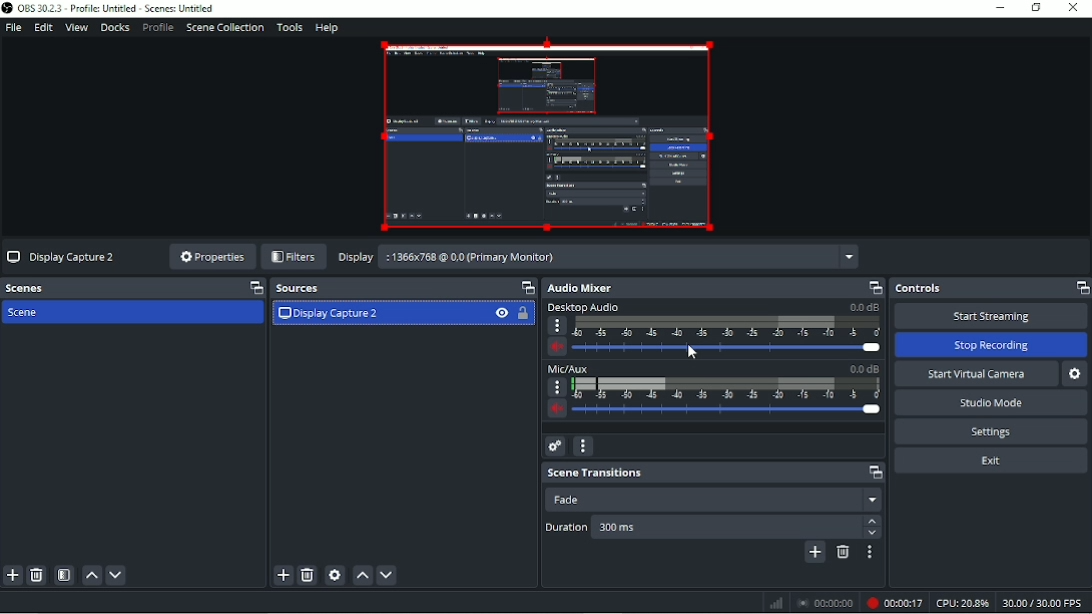 The height and width of the screenshot is (614, 1092). What do you see at coordinates (211, 258) in the screenshot?
I see `Properties` at bounding box center [211, 258].